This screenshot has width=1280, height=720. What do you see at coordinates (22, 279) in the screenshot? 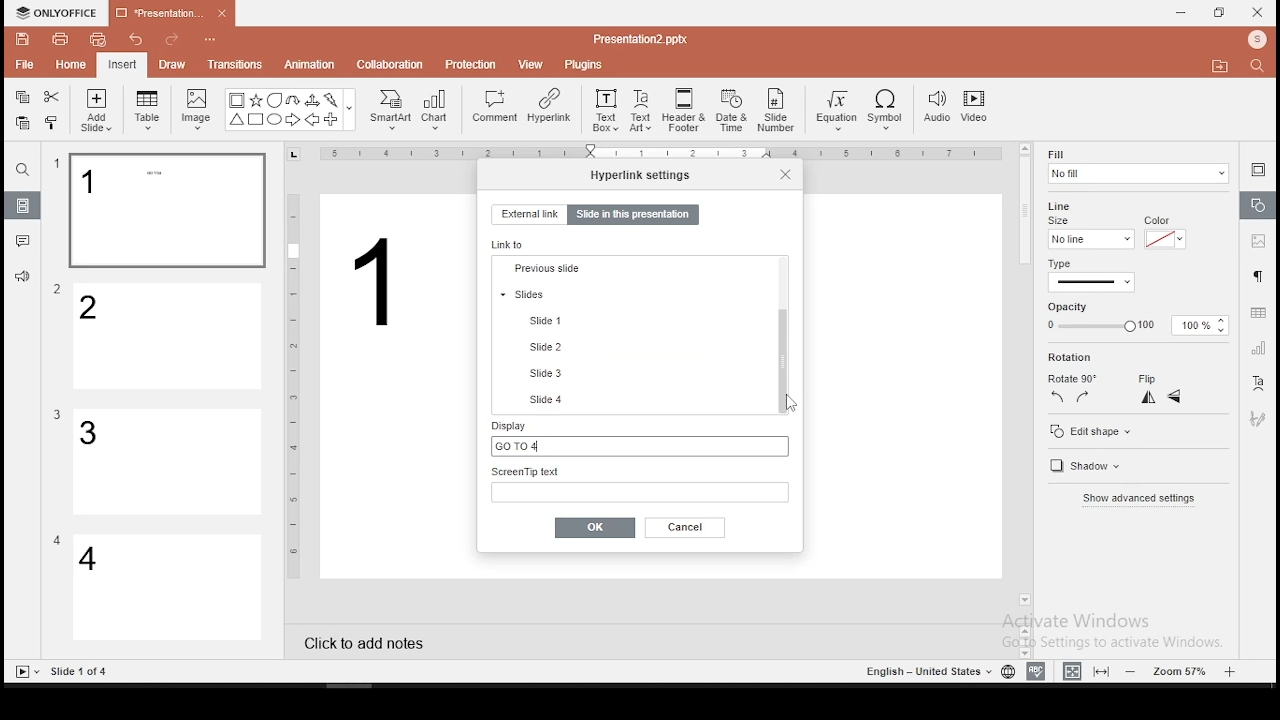
I see `support and feedback` at bounding box center [22, 279].